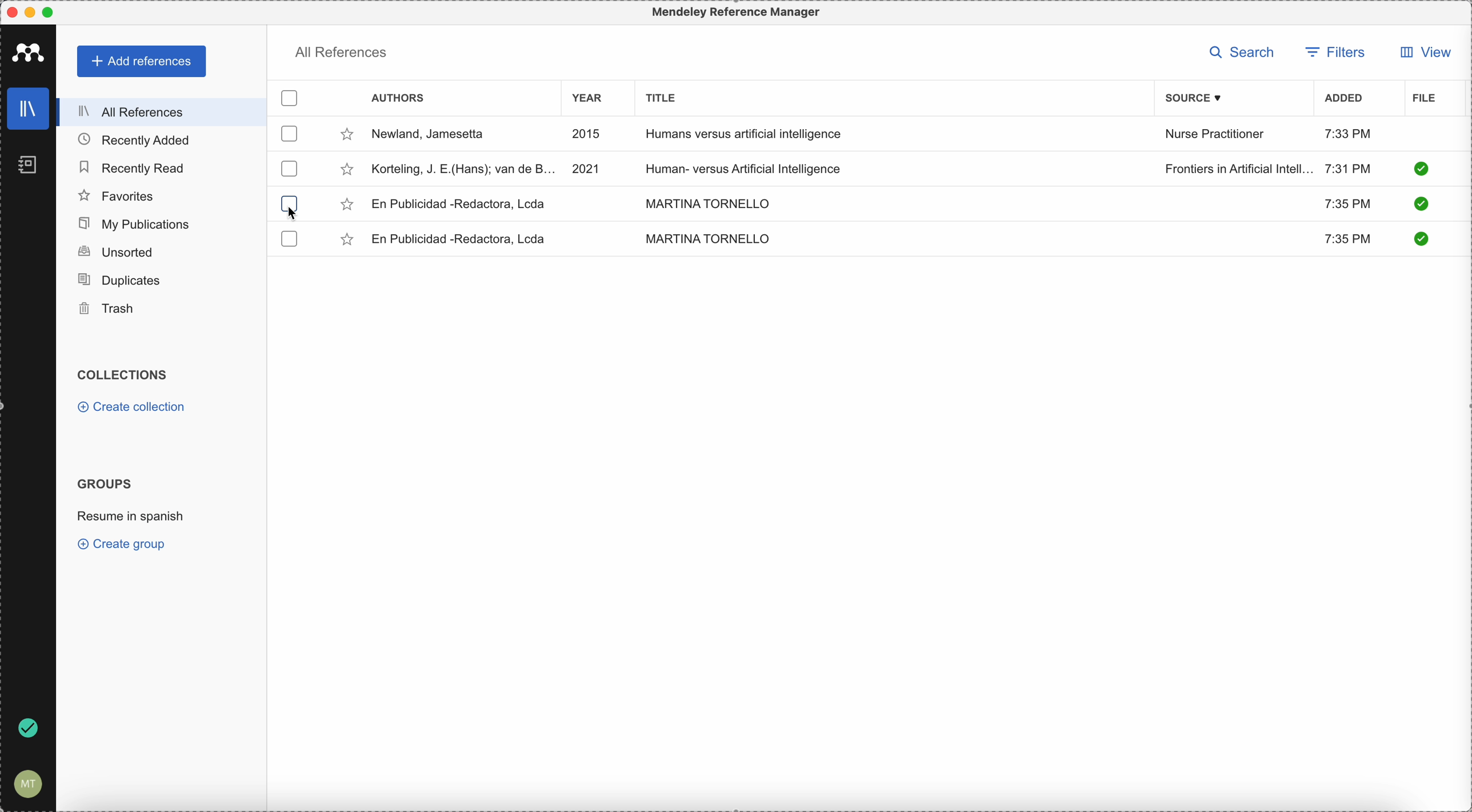 This screenshot has height=812, width=1472. I want to click on check it, so click(1419, 205).